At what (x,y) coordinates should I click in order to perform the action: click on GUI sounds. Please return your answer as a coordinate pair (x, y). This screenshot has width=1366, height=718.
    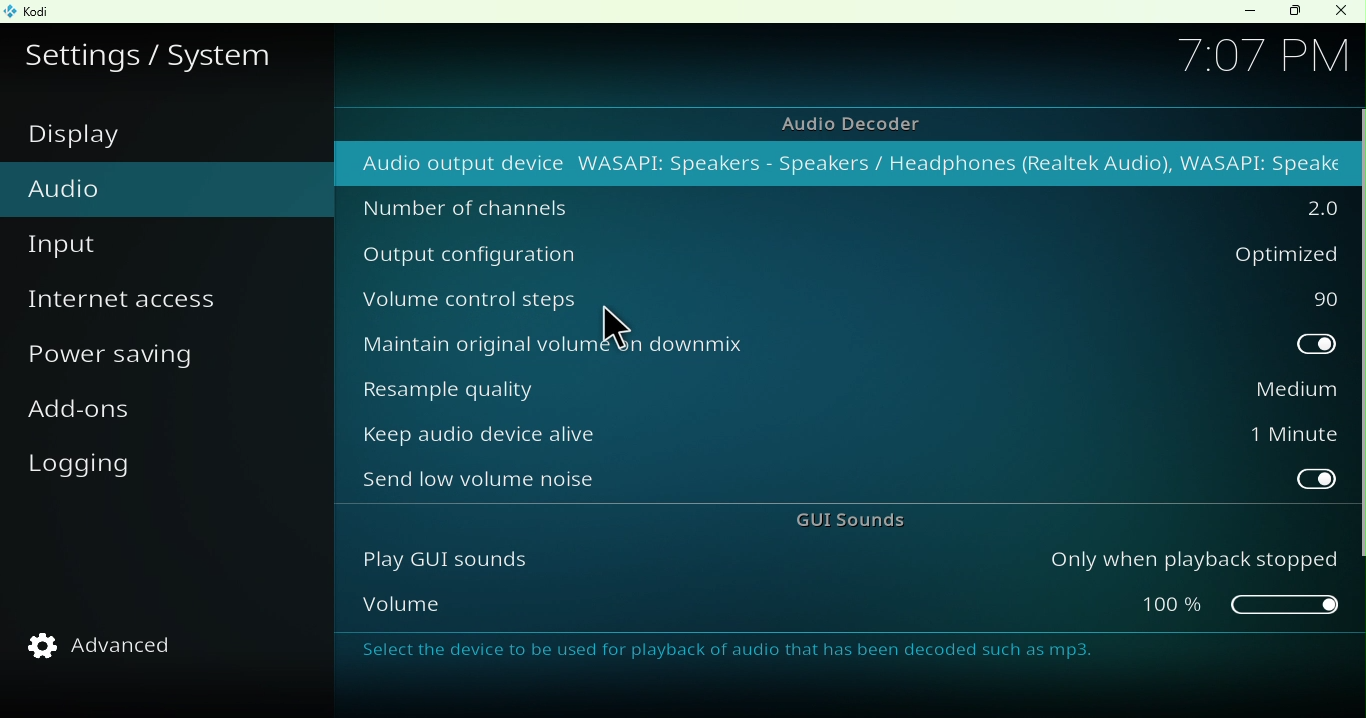
    Looking at the image, I should click on (832, 524).